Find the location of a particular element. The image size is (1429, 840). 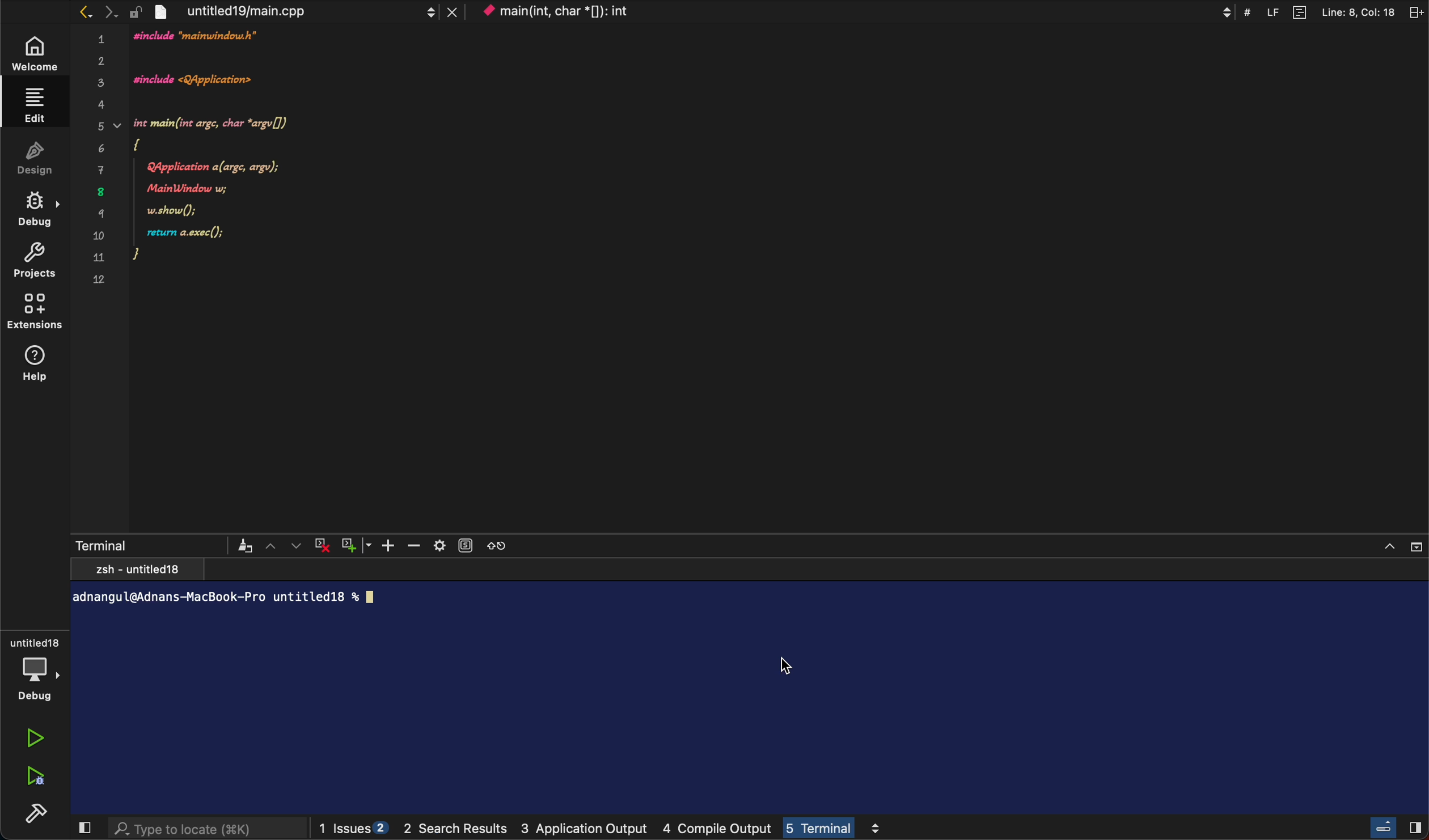

design is located at coordinates (36, 155).